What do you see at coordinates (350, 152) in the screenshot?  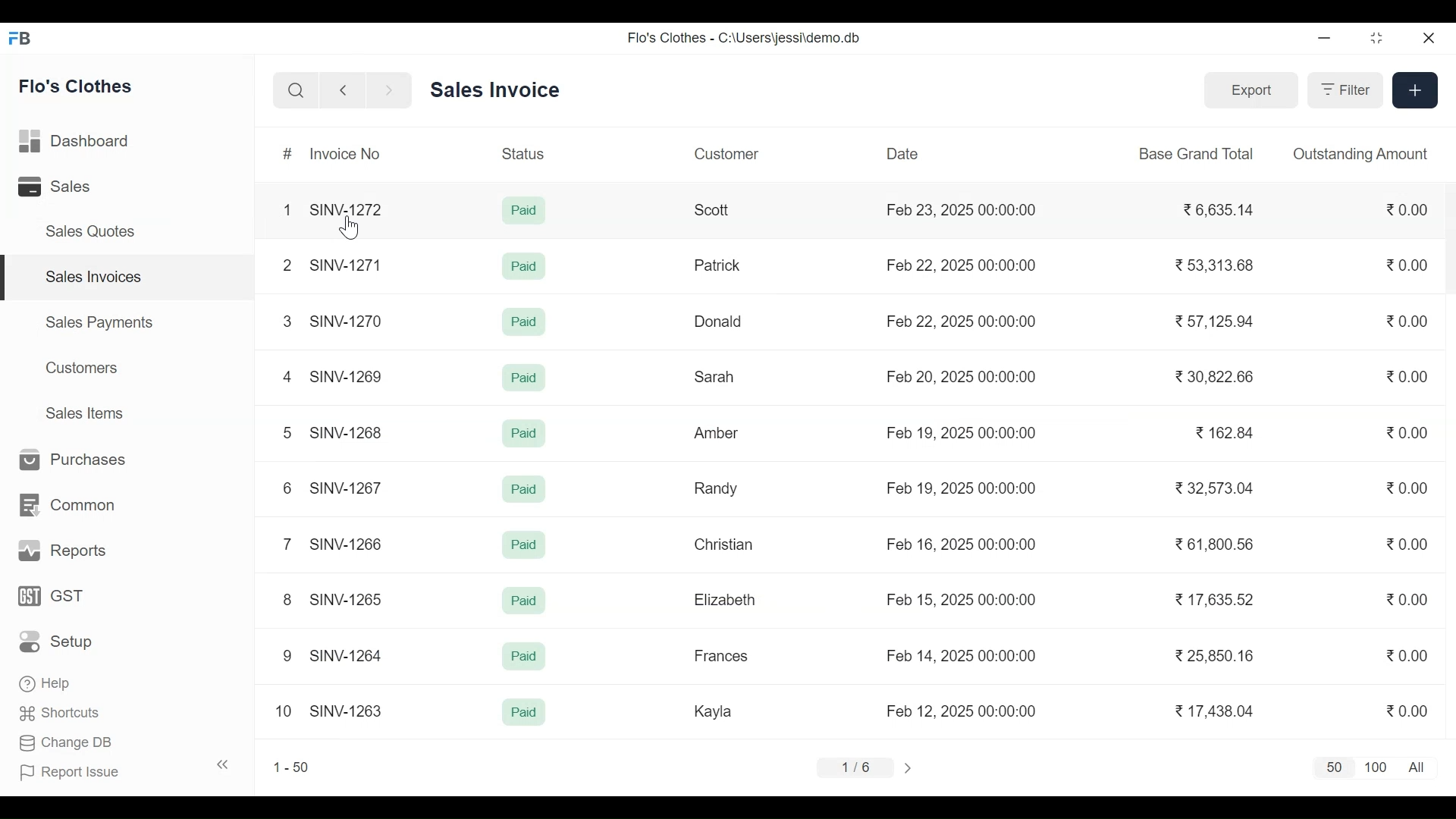 I see `Invoice No` at bounding box center [350, 152].